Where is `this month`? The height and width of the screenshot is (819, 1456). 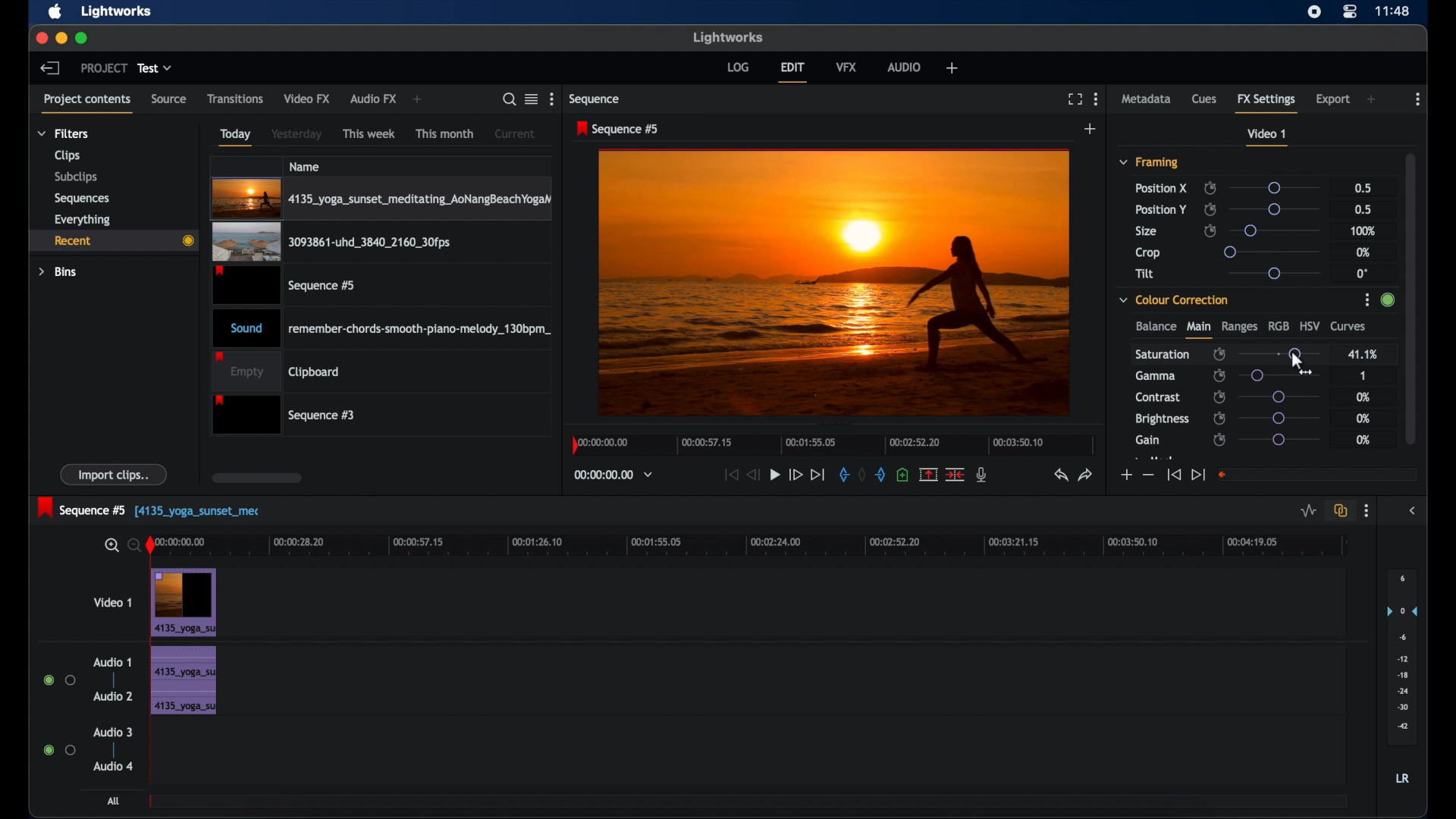
this month is located at coordinates (444, 133).